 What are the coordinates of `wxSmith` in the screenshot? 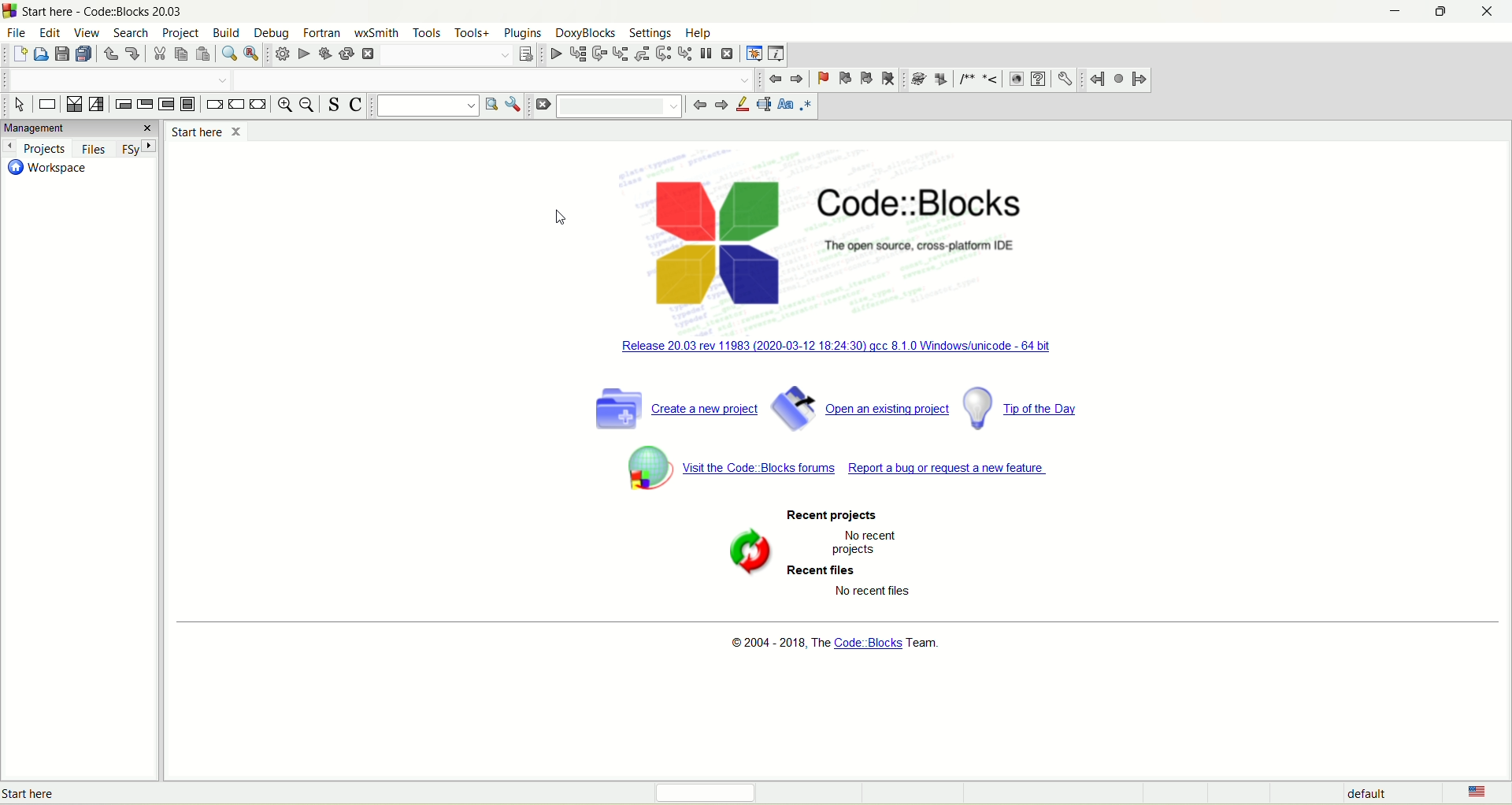 It's located at (376, 32).